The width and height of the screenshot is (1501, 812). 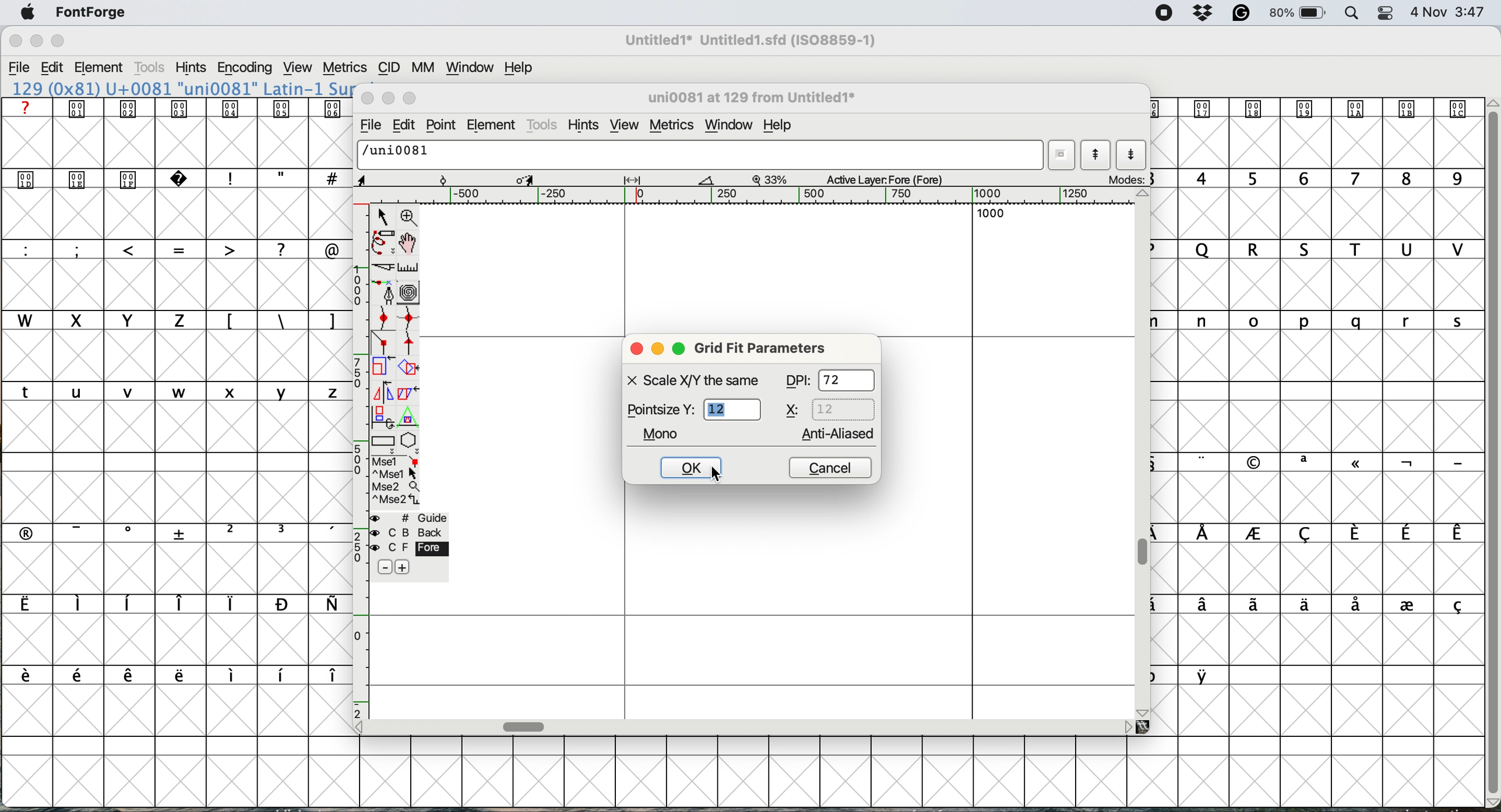 What do you see at coordinates (247, 68) in the screenshot?
I see `Encoding` at bounding box center [247, 68].